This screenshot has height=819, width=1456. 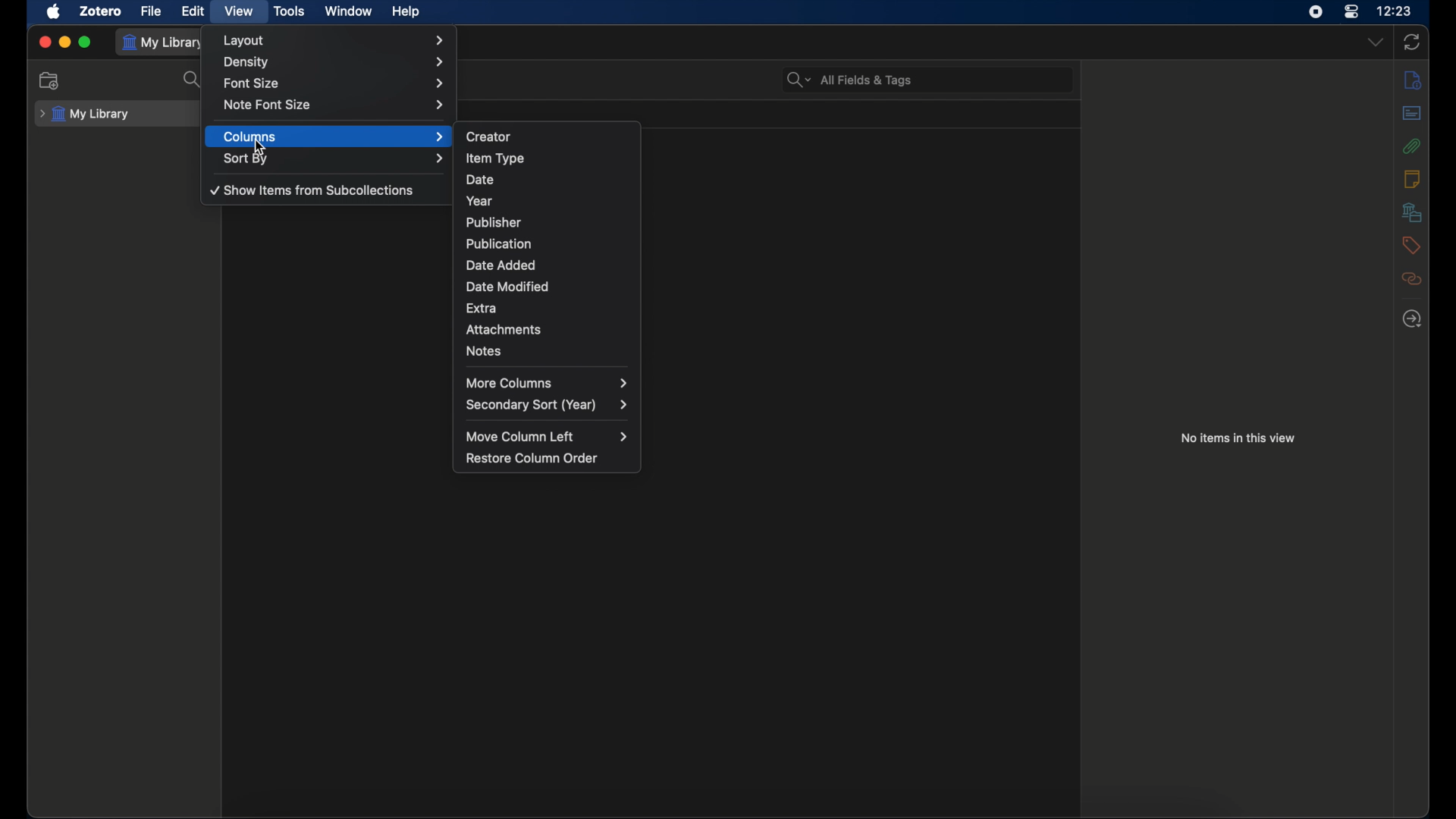 I want to click on related, so click(x=1412, y=278).